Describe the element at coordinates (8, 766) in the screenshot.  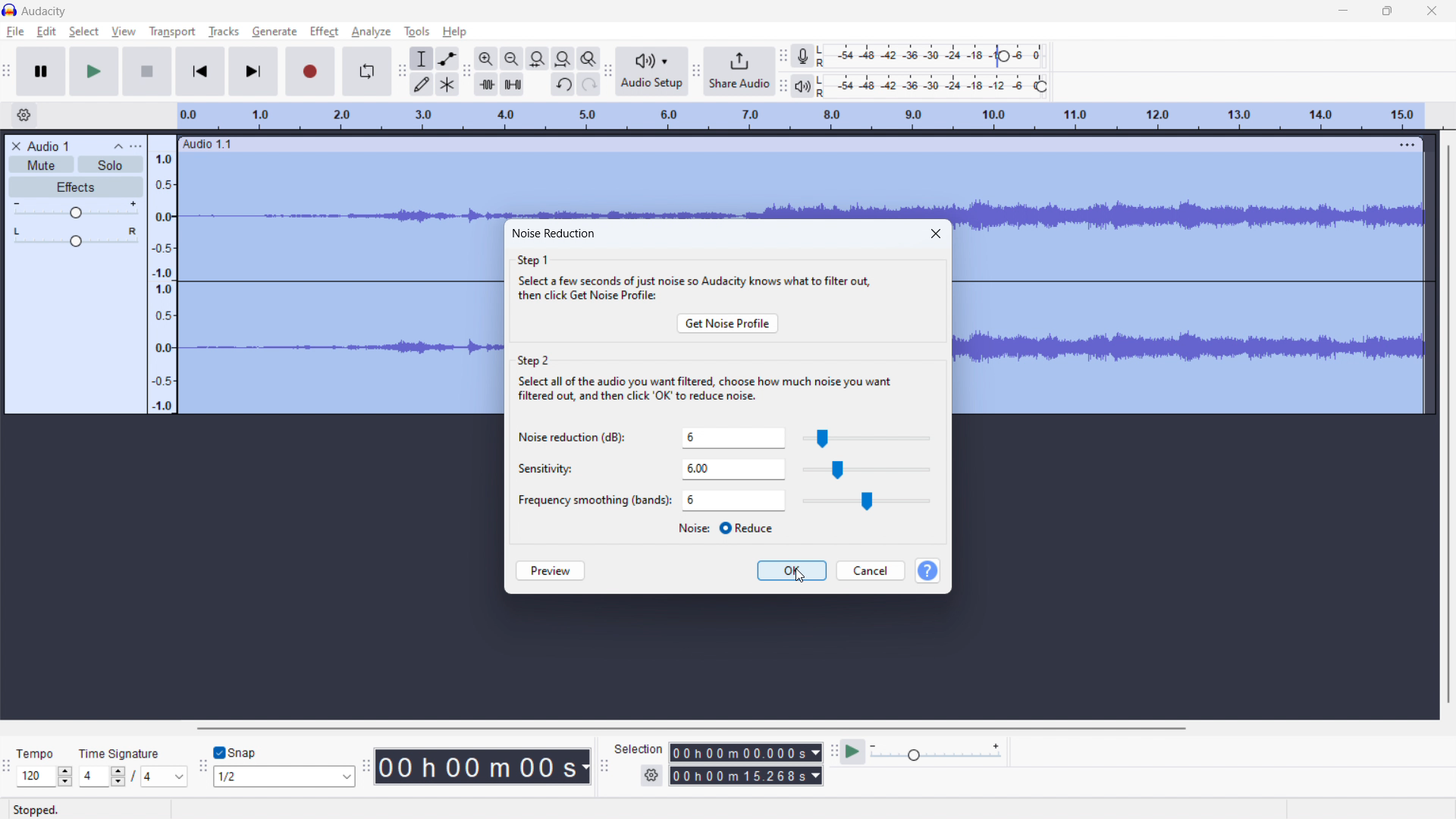
I see `time signature toolbar` at that location.